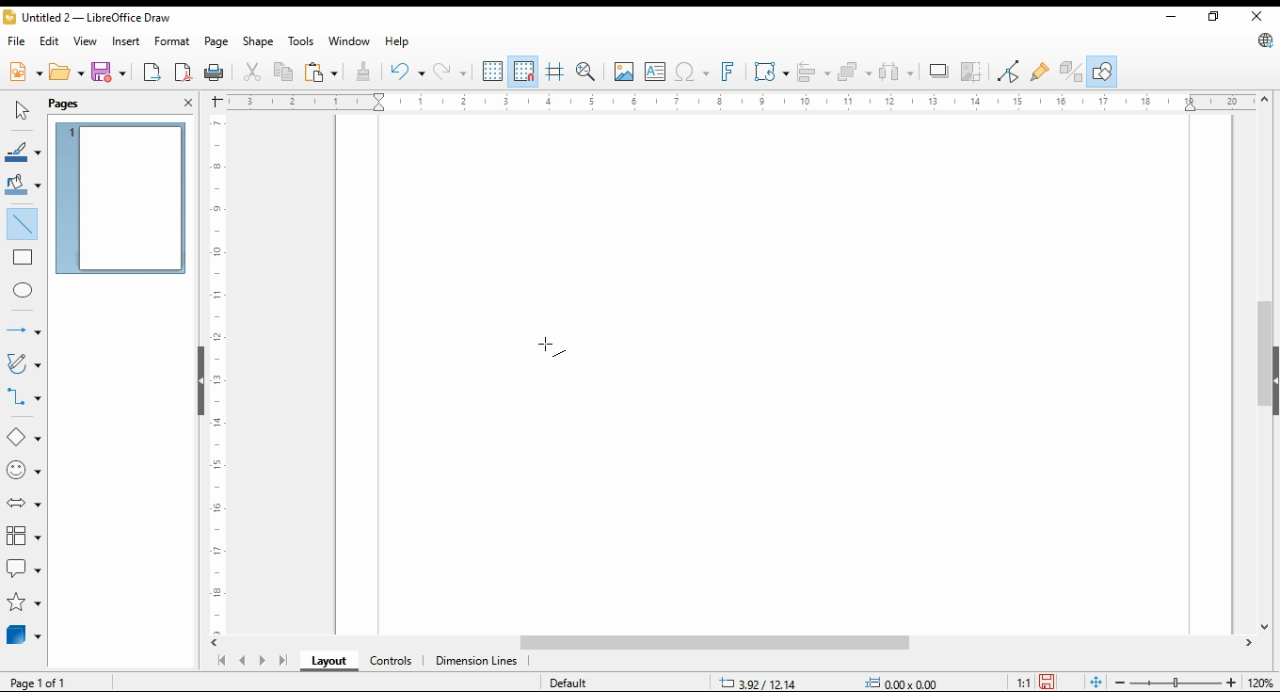 This screenshot has height=692, width=1280. What do you see at coordinates (905, 682) in the screenshot?
I see `0.00x0.00` at bounding box center [905, 682].